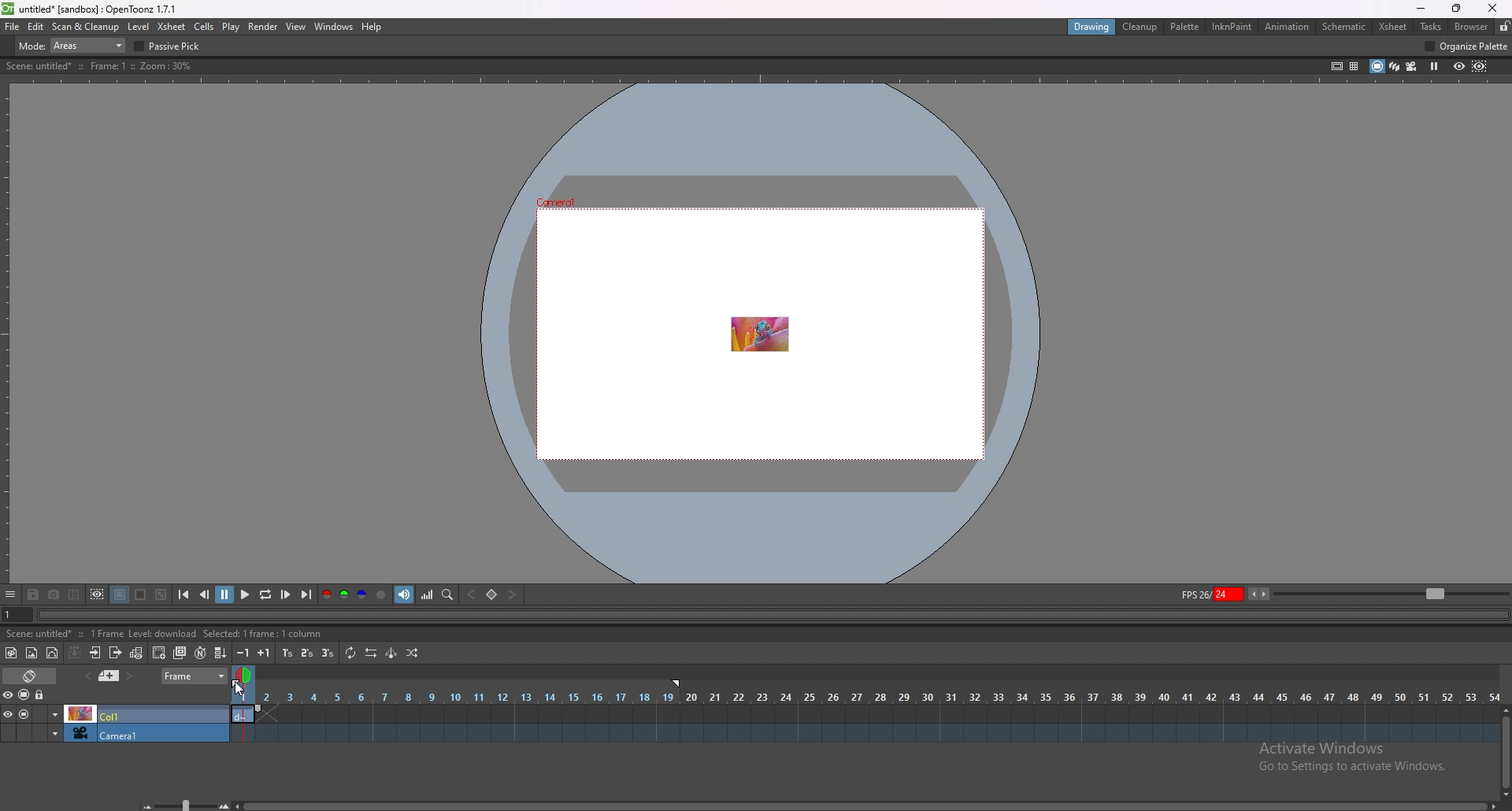  I want to click on open subsheet, so click(95, 653).